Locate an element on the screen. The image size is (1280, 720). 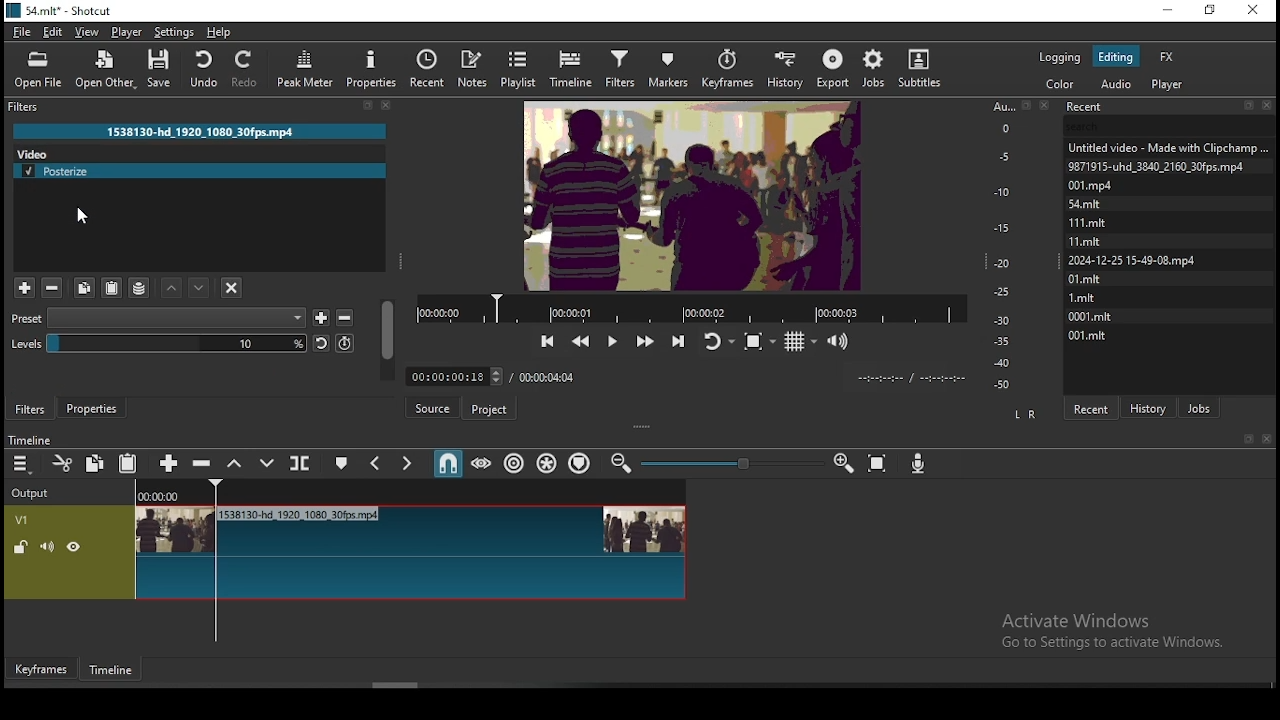
settings is located at coordinates (175, 32).